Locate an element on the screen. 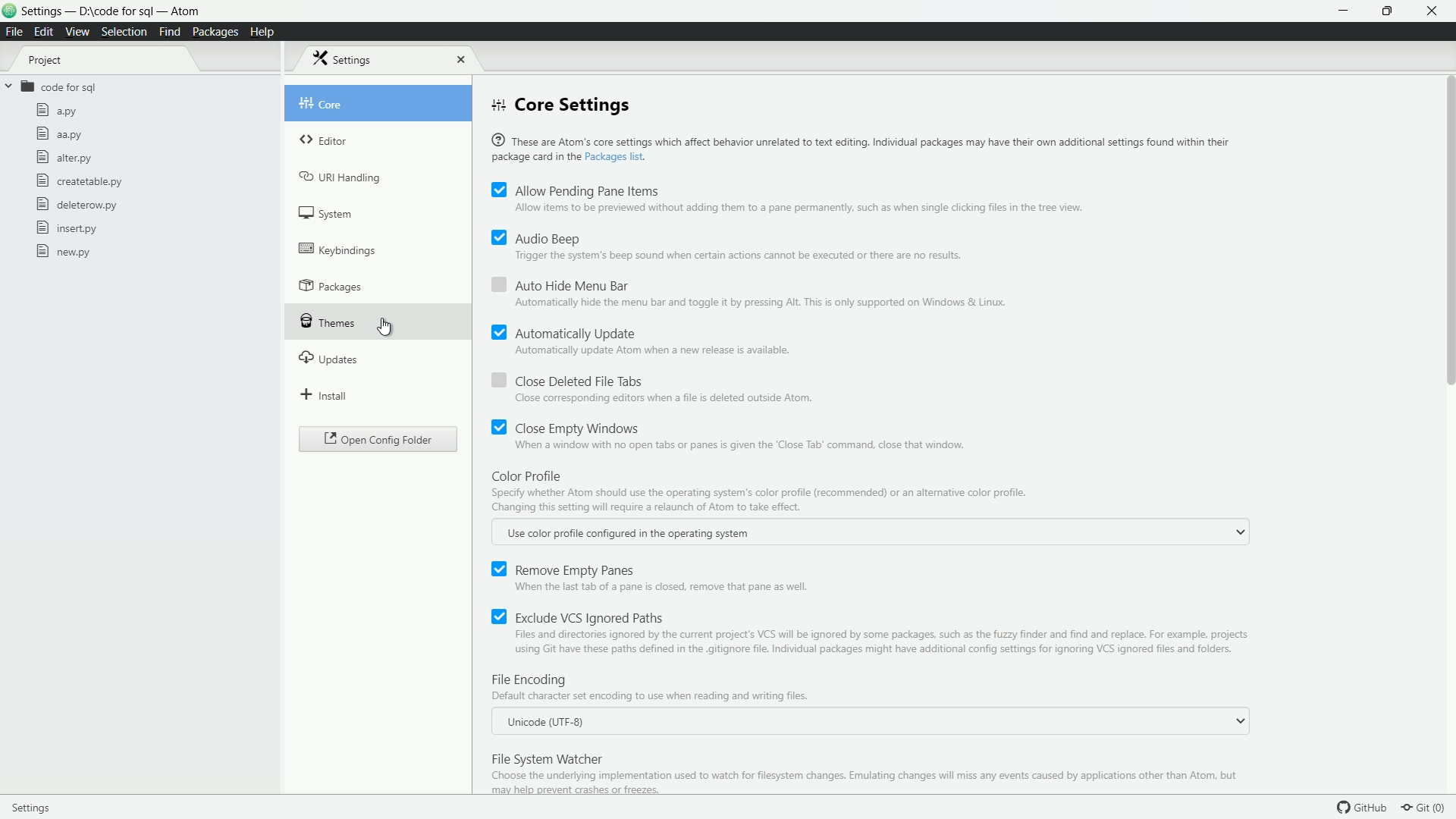  insert.py file is located at coordinates (68, 227).